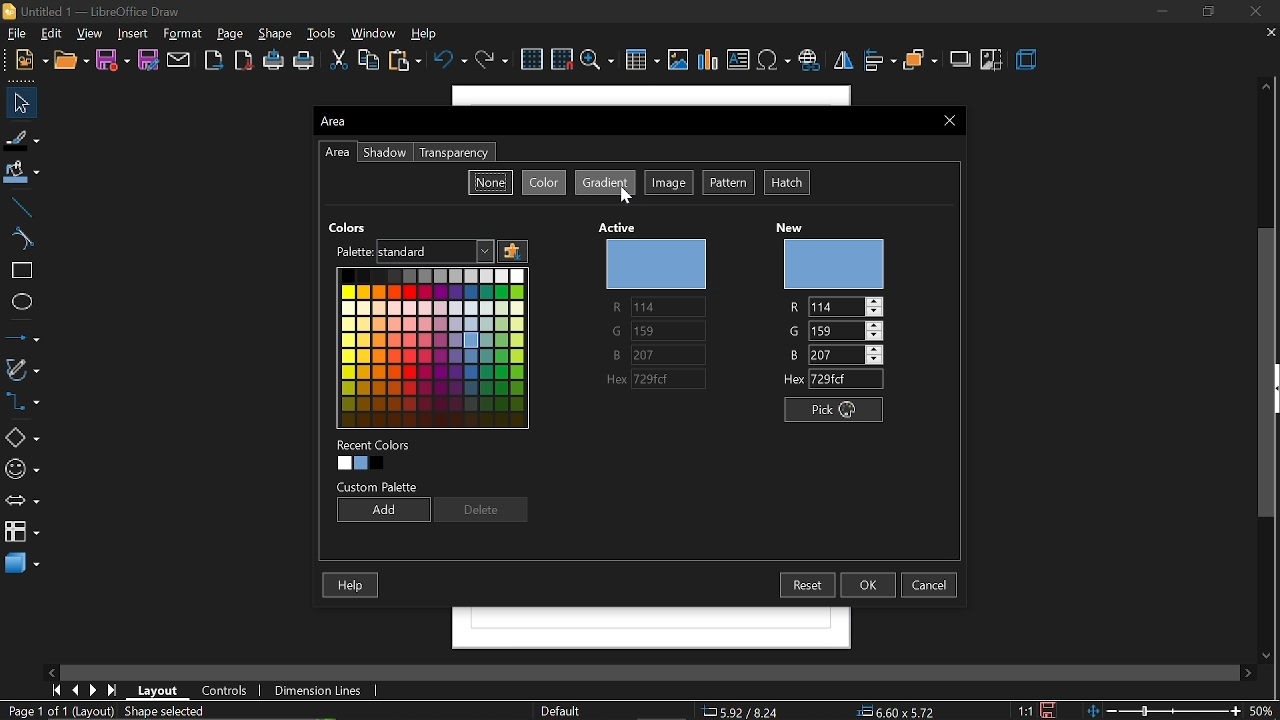  What do you see at coordinates (806, 584) in the screenshot?
I see `reset` at bounding box center [806, 584].